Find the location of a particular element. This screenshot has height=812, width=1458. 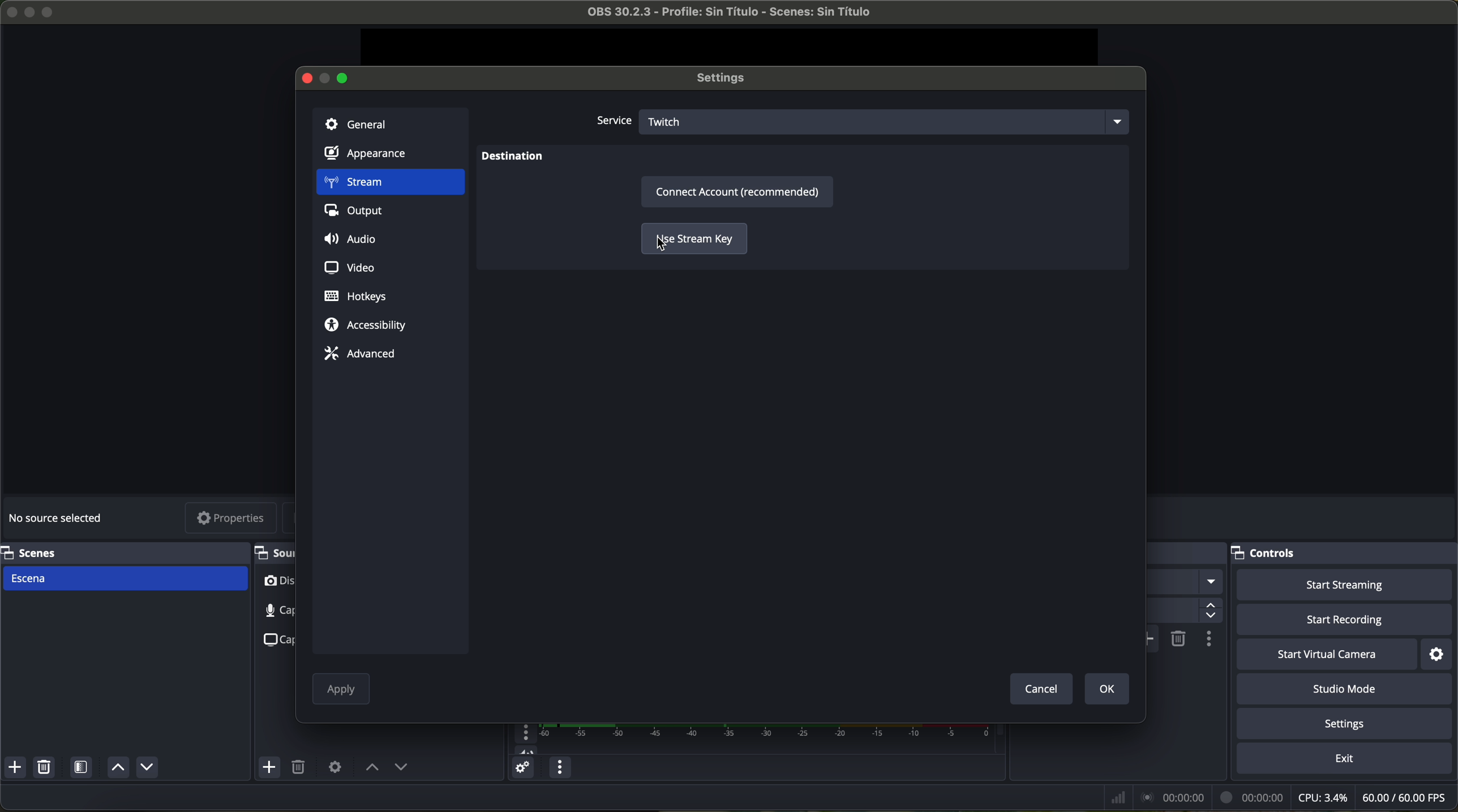

destination is located at coordinates (513, 158).